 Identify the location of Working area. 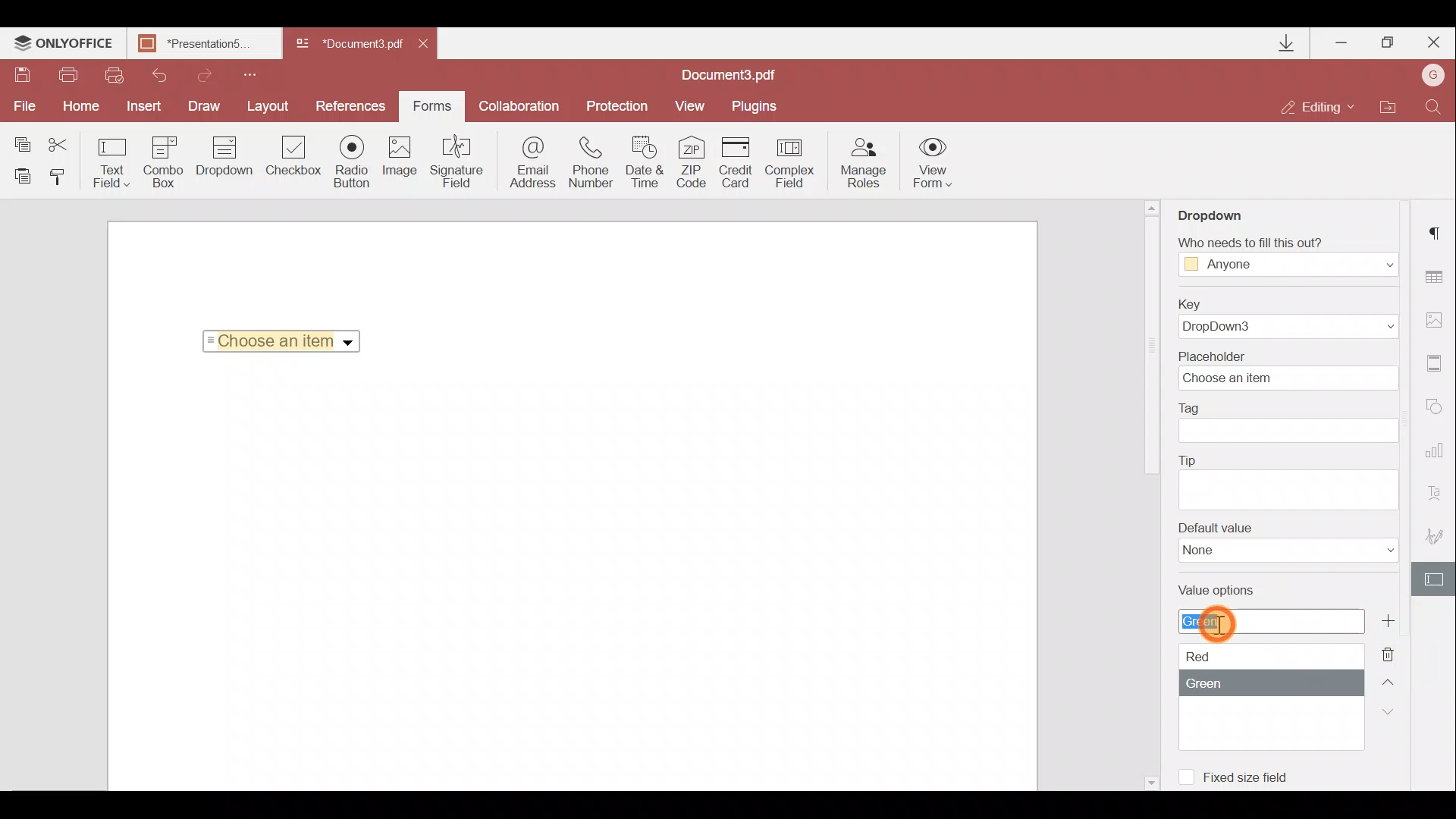
(570, 579).